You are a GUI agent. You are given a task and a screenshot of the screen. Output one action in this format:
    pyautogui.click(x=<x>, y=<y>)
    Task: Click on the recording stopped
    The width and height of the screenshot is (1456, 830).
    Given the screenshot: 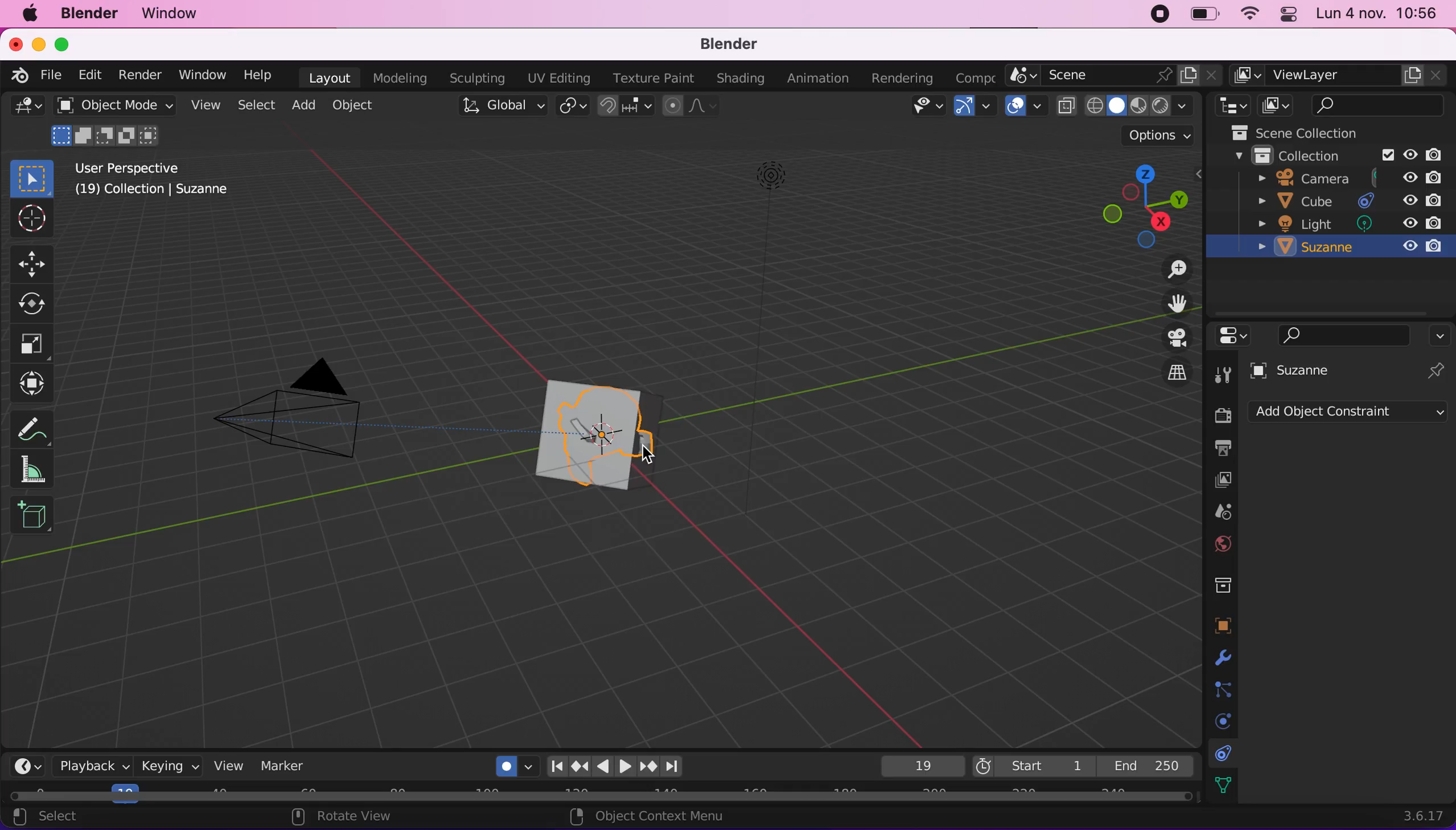 What is the action you would take?
    pyautogui.click(x=1161, y=15)
    